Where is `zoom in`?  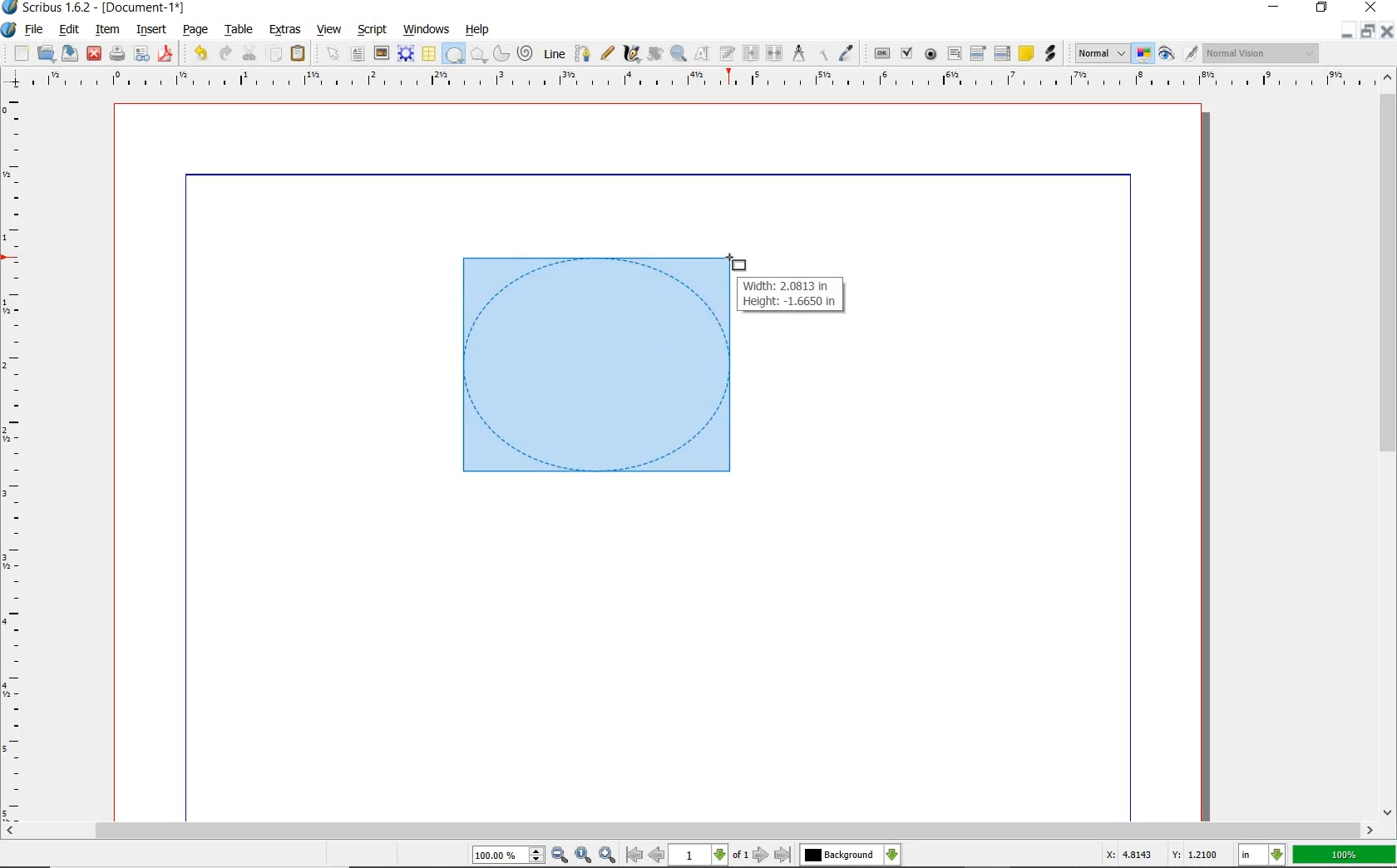
zoom in is located at coordinates (609, 854).